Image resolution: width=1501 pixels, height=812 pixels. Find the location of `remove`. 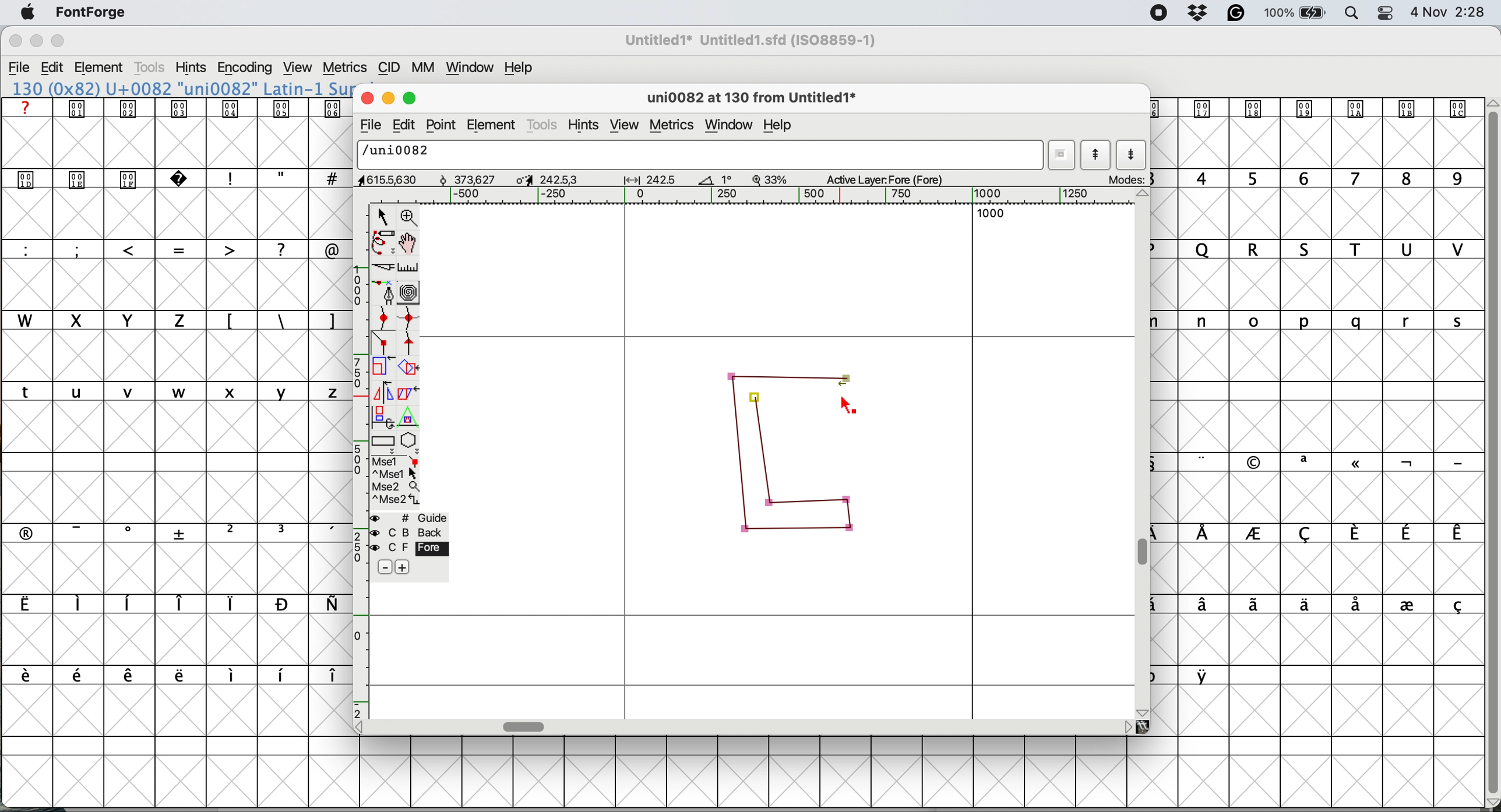

remove is located at coordinates (386, 568).